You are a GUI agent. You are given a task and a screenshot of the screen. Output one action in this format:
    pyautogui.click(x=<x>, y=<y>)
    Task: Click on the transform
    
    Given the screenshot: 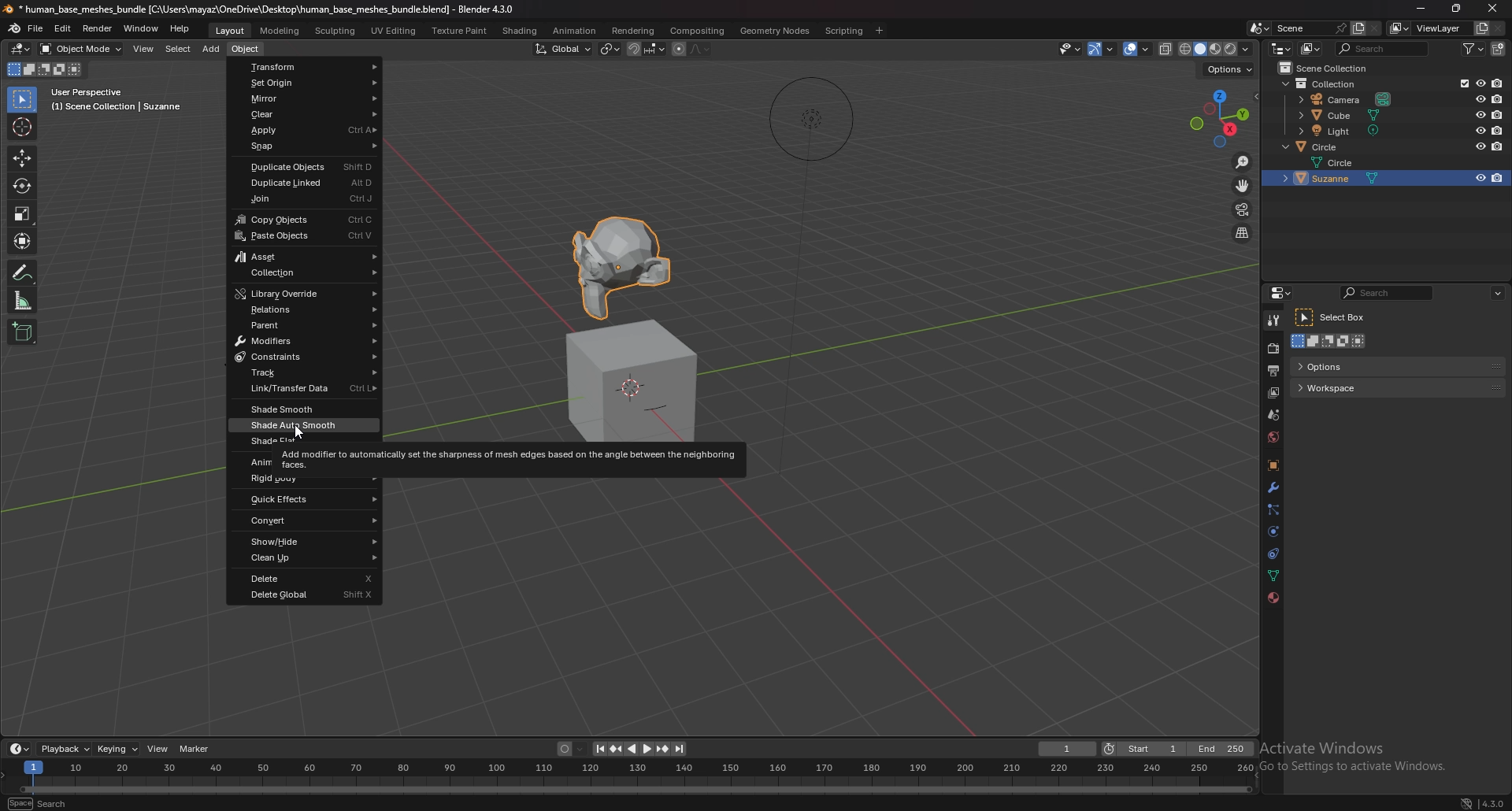 What is the action you would take?
    pyautogui.click(x=308, y=66)
    